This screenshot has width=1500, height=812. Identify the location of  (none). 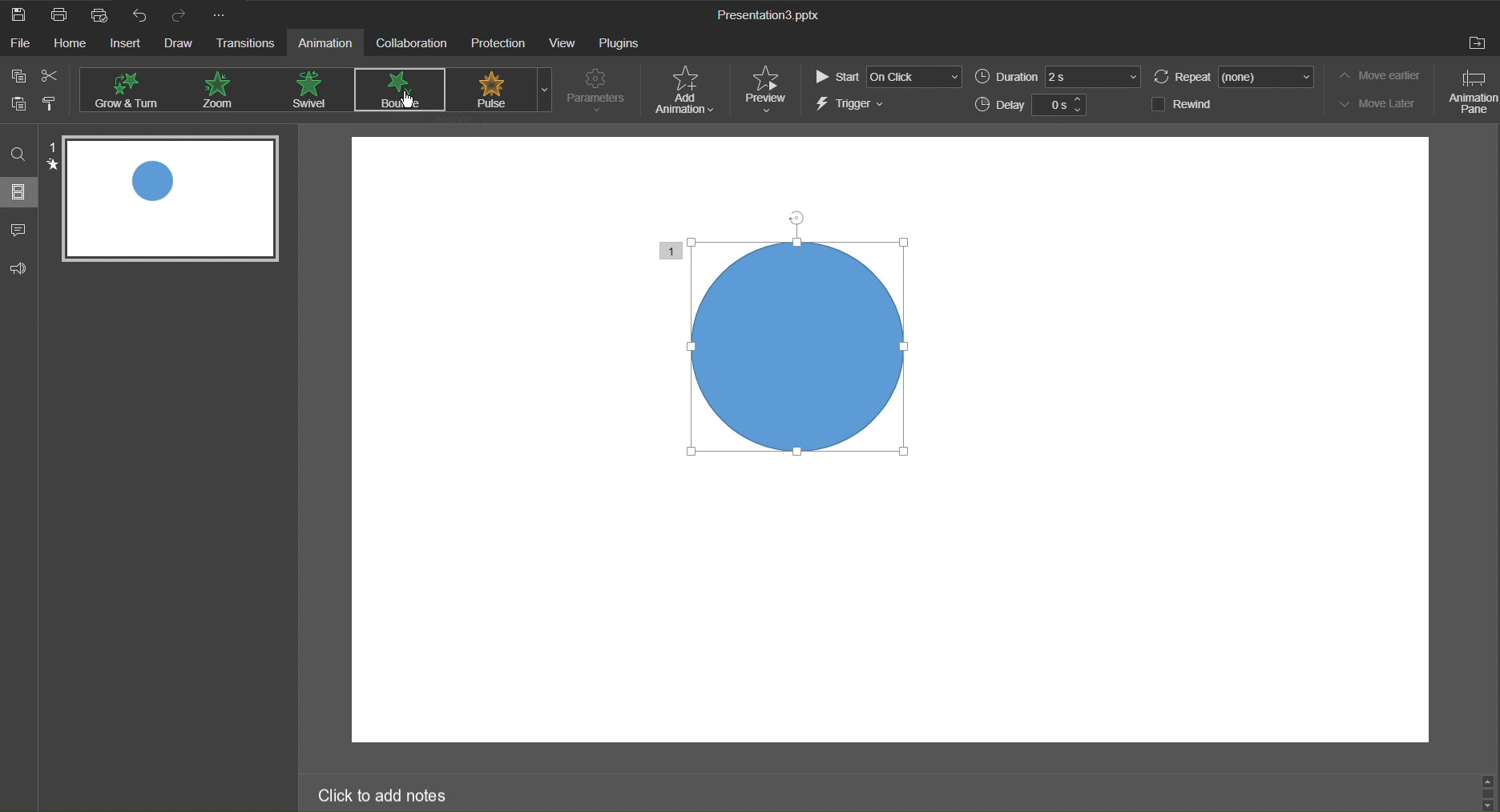
(1268, 76).